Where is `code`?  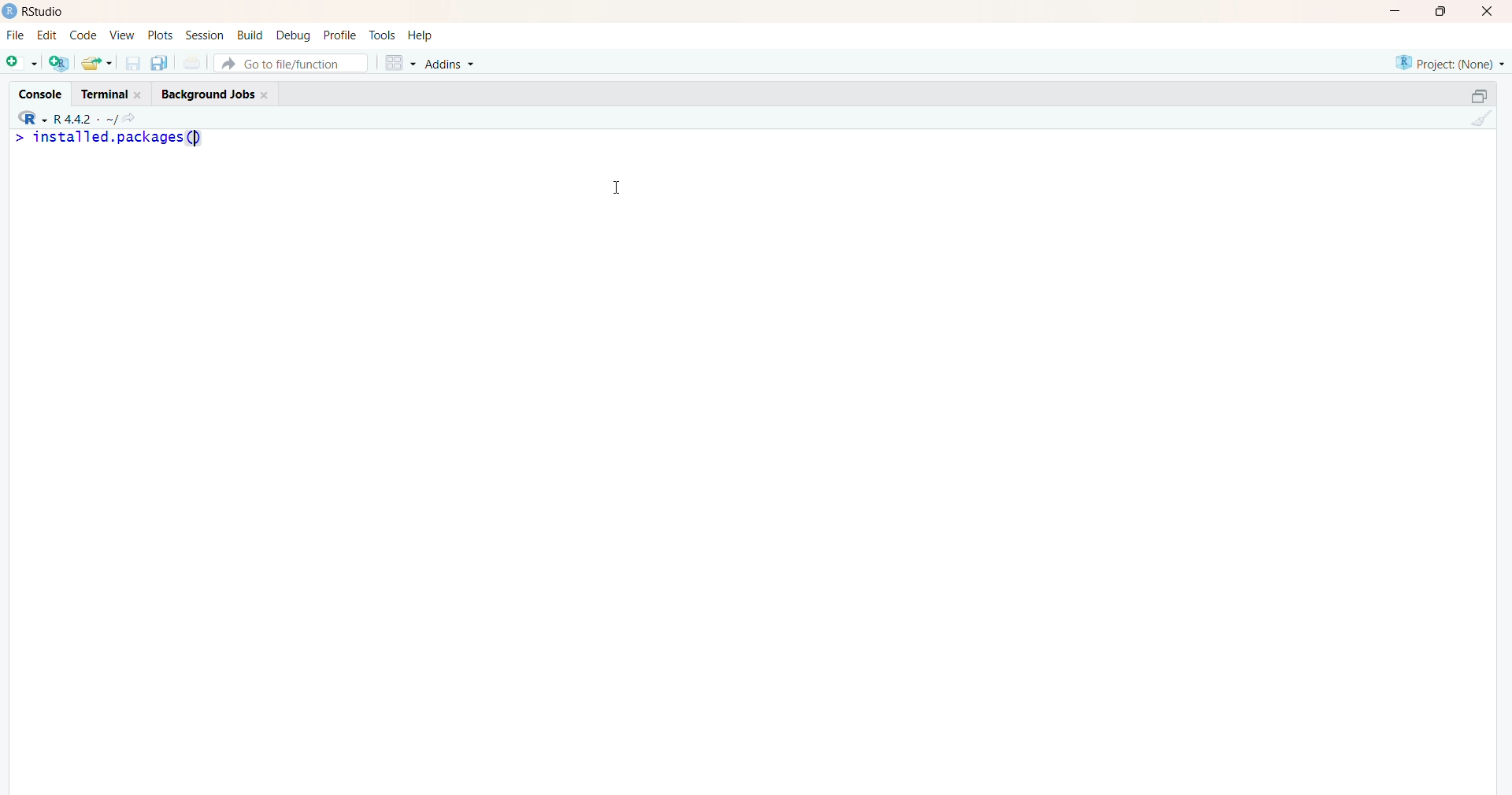 code is located at coordinates (83, 35).